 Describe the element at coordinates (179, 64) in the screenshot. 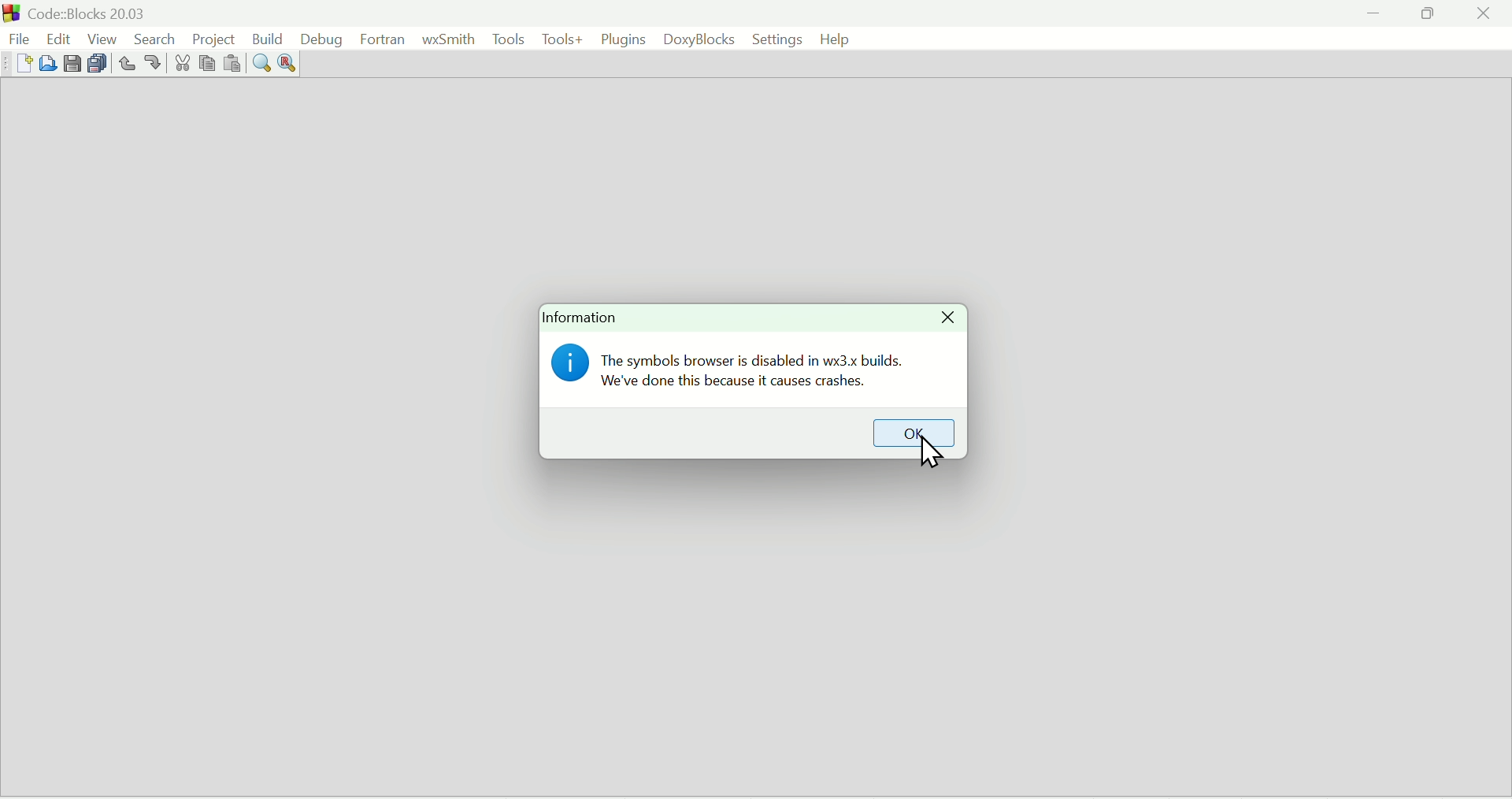

I see `Cut` at that location.